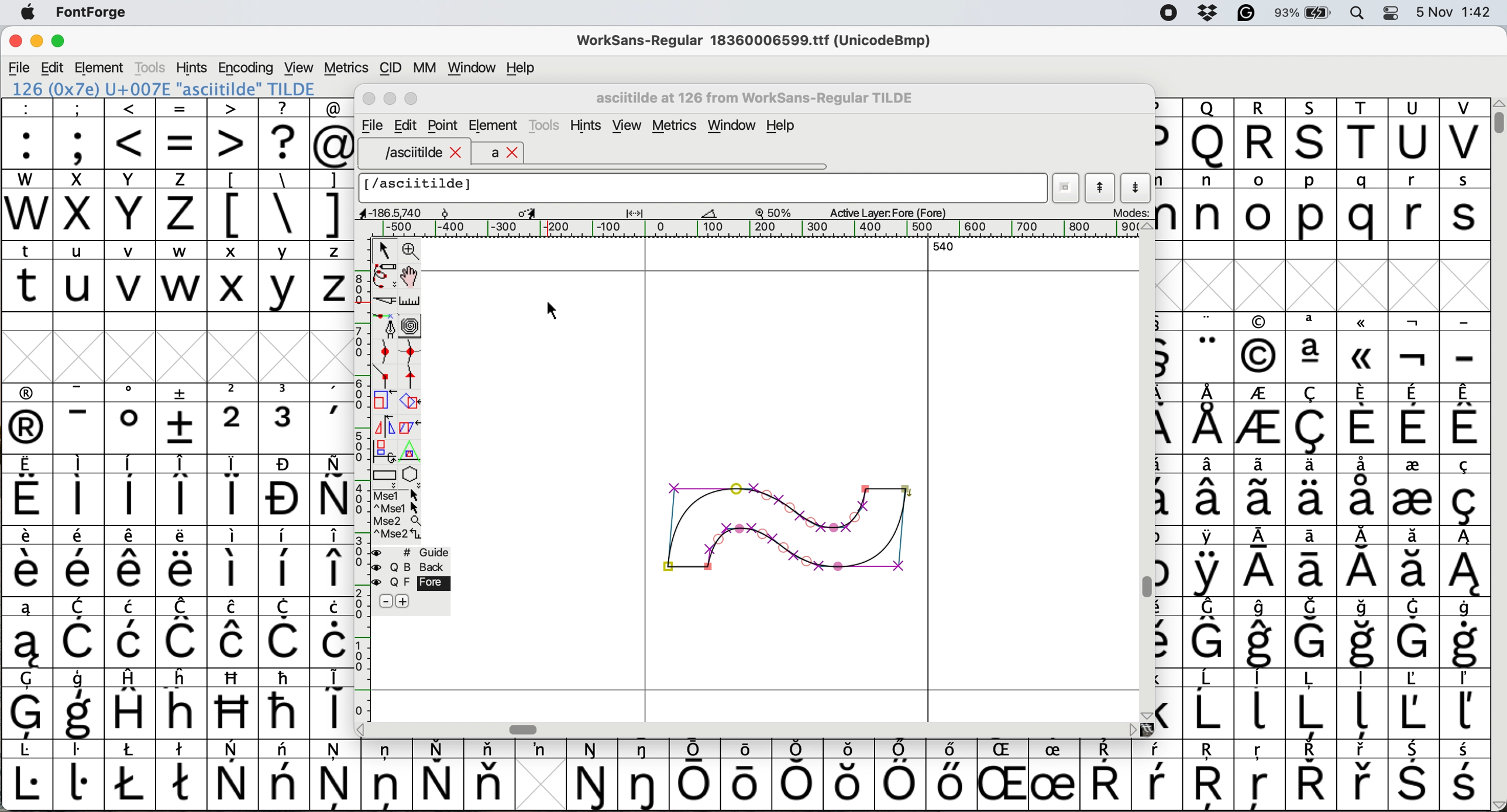 This screenshot has width=1507, height=812. What do you see at coordinates (1308, 12) in the screenshot?
I see `battery` at bounding box center [1308, 12].